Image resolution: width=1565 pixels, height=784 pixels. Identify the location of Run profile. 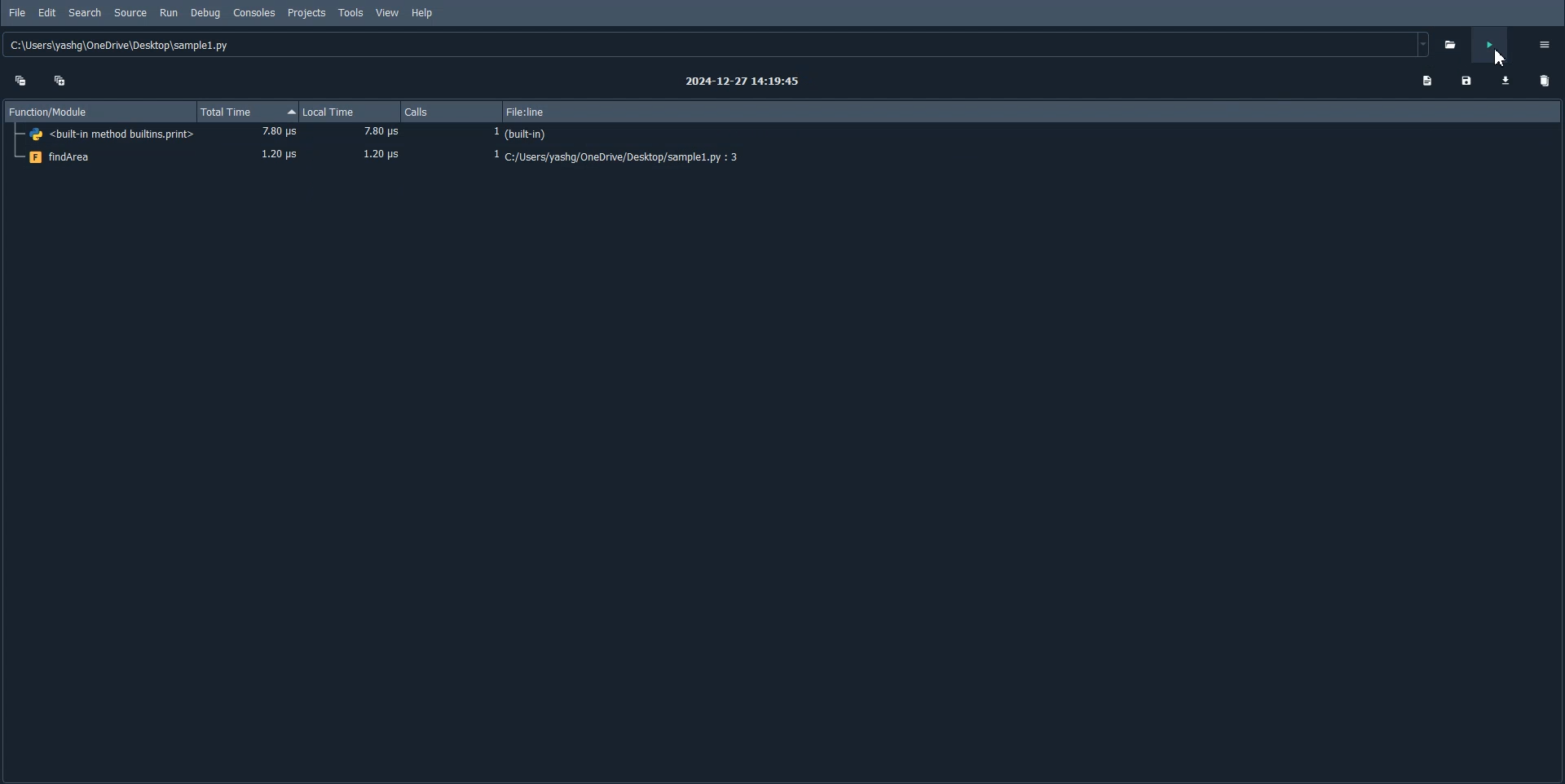
(1490, 45).